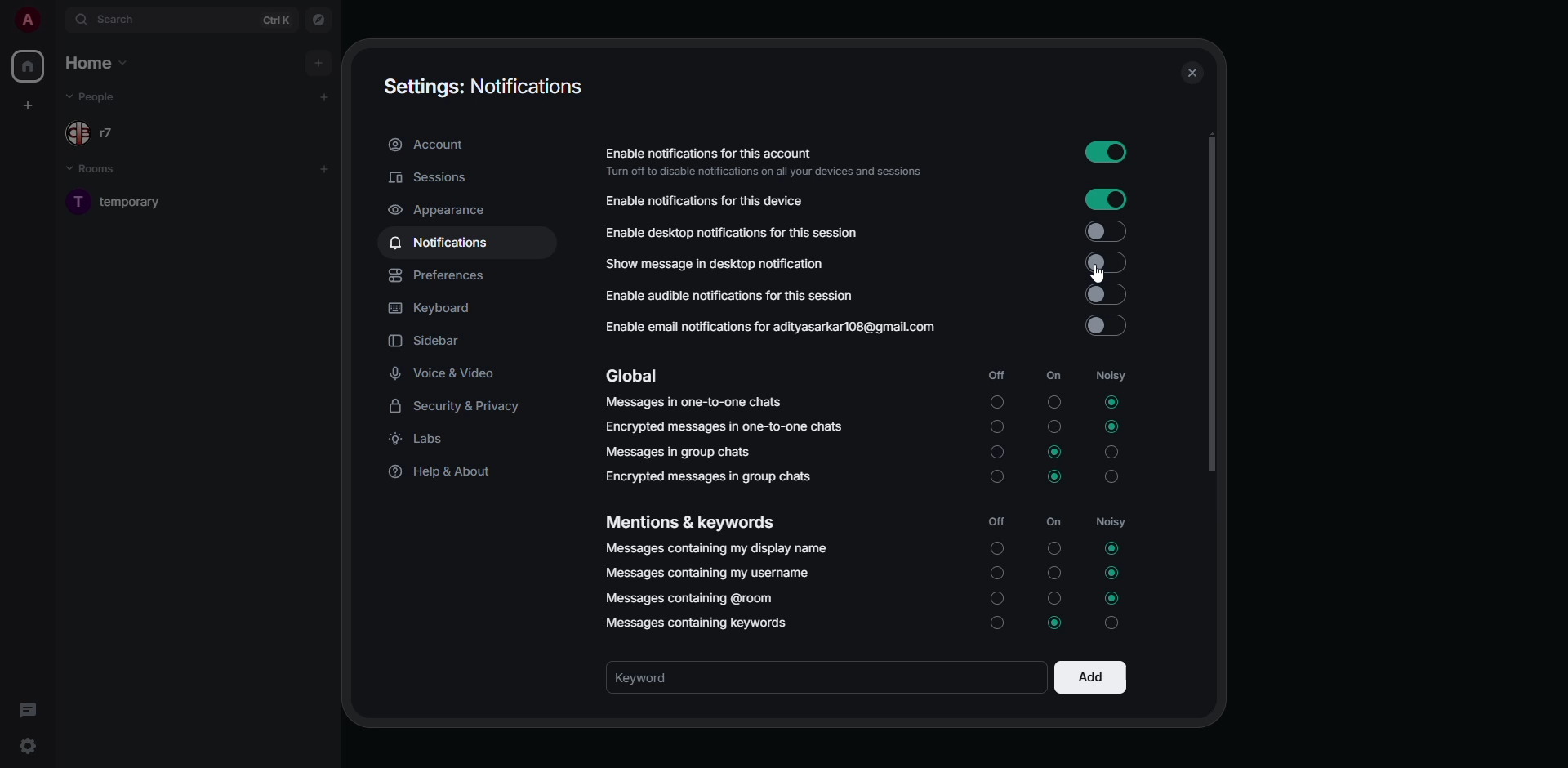 The width and height of the screenshot is (1568, 768). I want to click on messages containing keywords, so click(702, 624).